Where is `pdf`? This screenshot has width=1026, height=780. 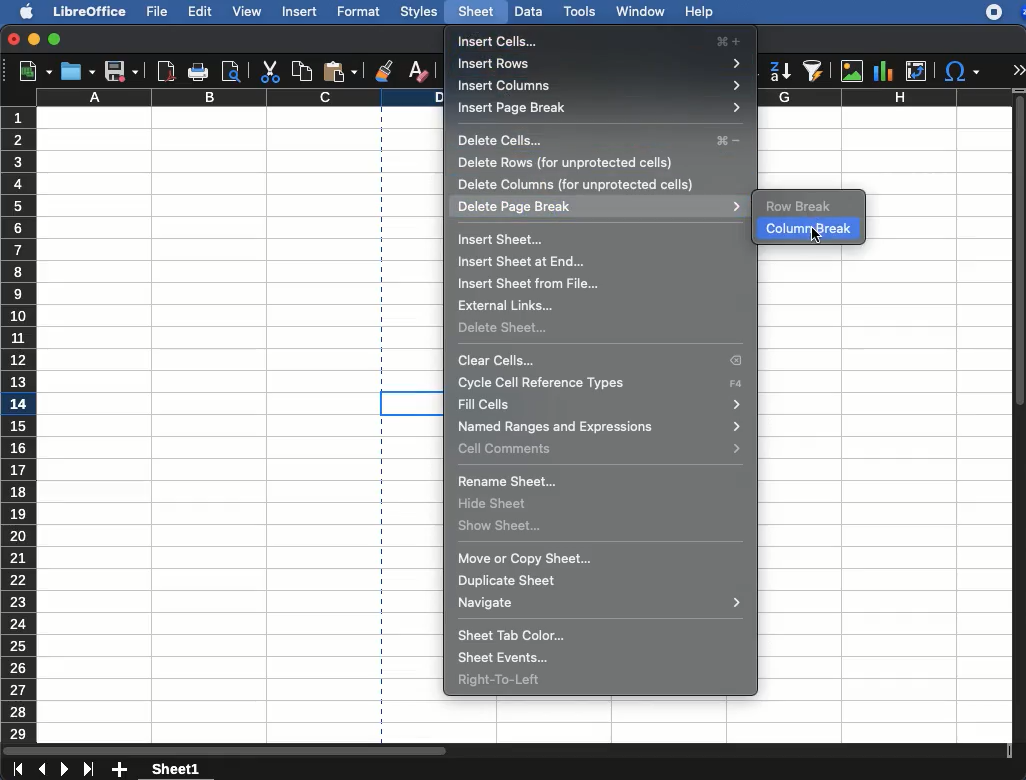 pdf is located at coordinates (166, 71).